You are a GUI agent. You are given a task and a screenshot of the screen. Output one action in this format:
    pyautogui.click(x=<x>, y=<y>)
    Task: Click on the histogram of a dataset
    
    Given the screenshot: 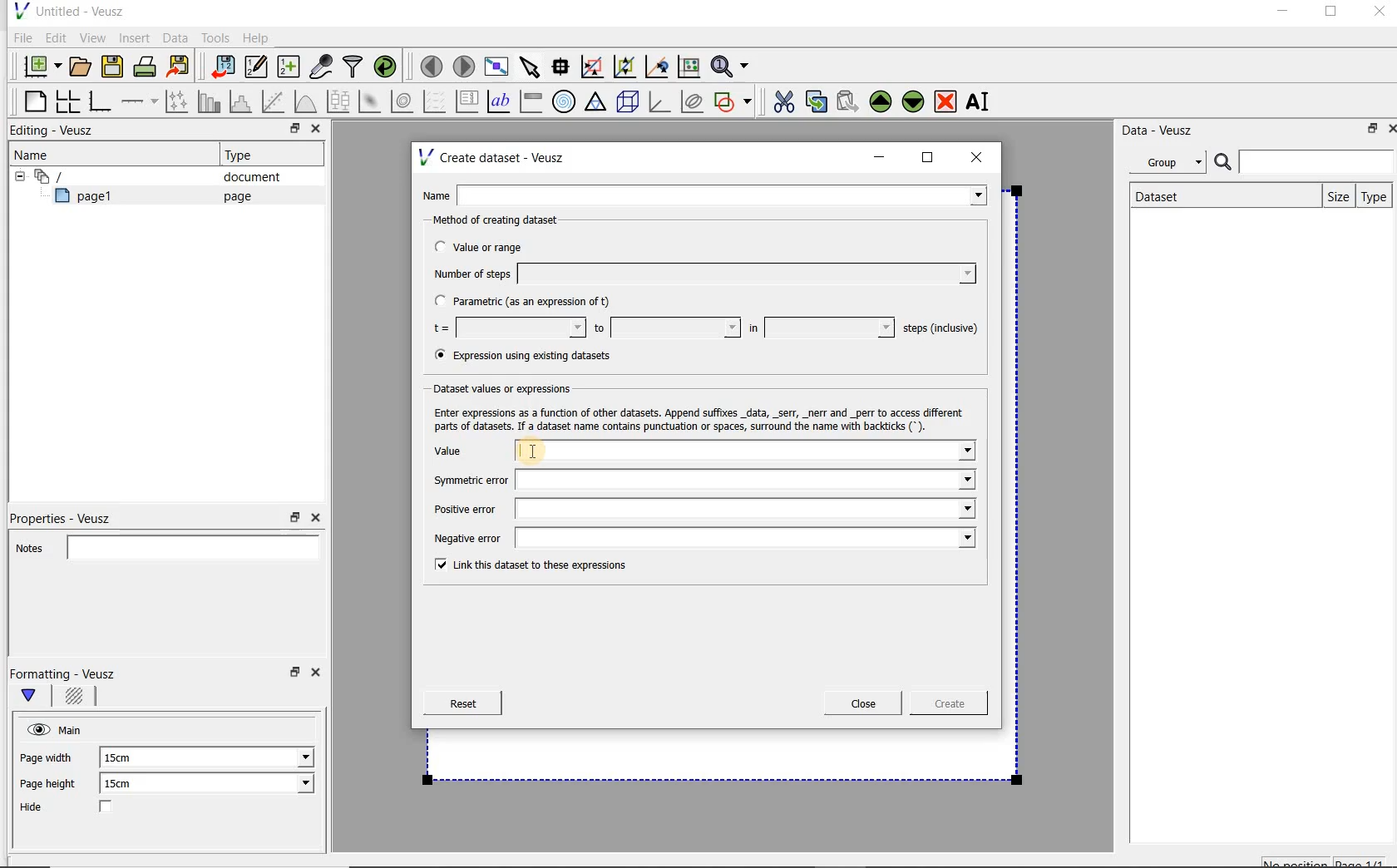 What is the action you would take?
    pyautogui.click(x=243, y=101)
    